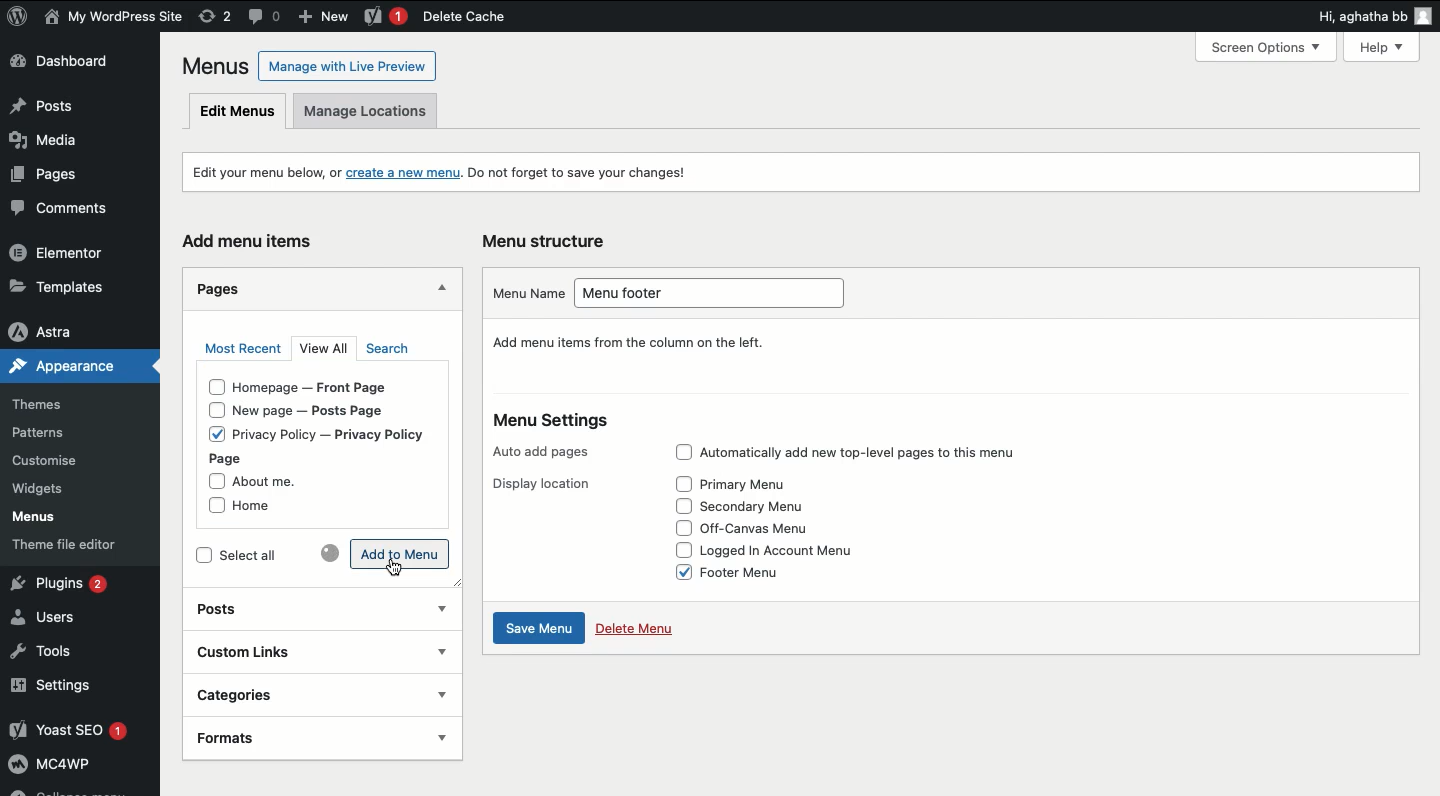 The width and height of the screenshot is (1440, 796). What do you see at coordinates (548, 239) in the screenshot?
I see `Menu structure` at bounding box center [548, 239].